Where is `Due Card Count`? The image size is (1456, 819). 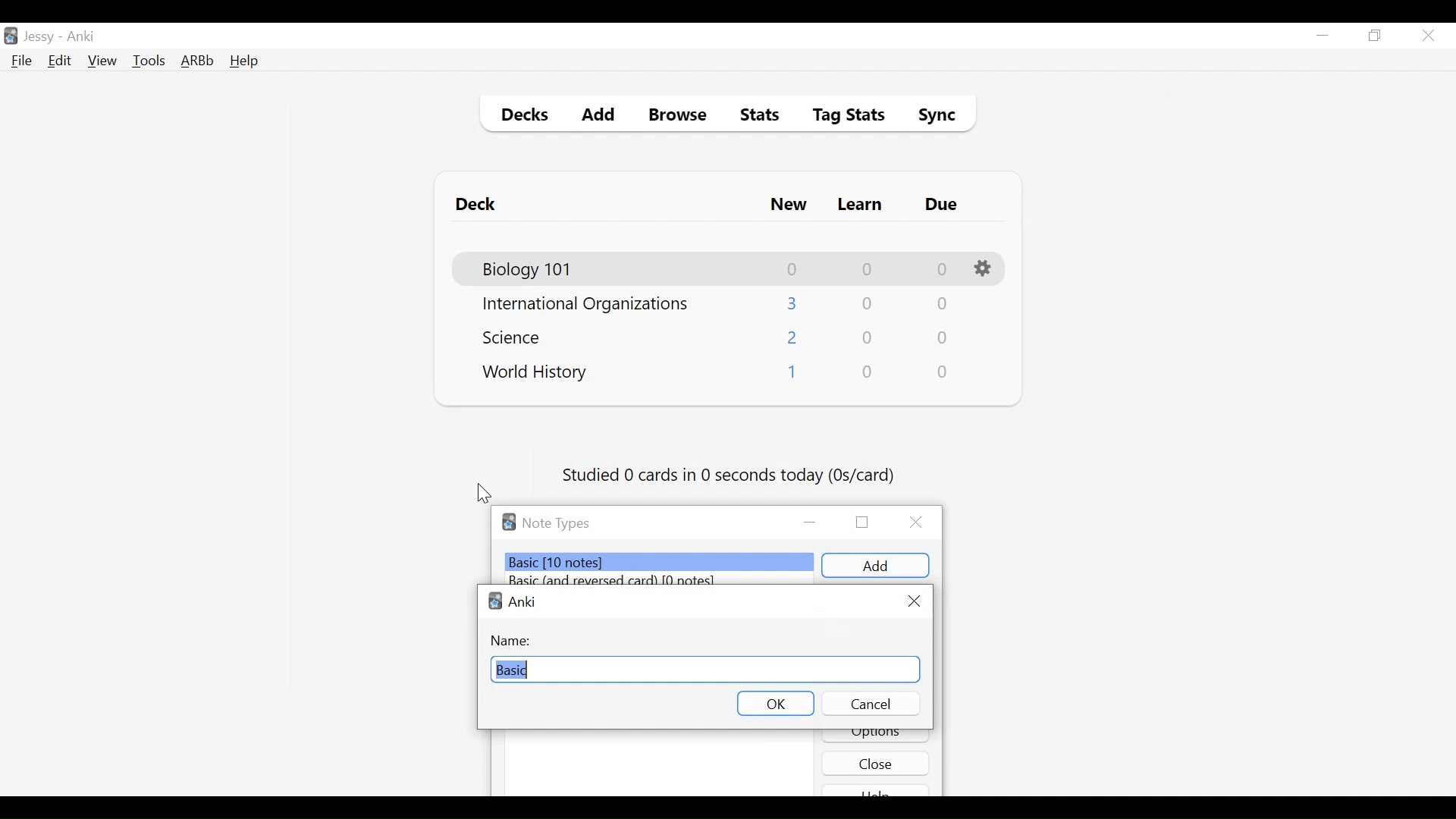 Due Card Count is located at coordinates (941, 306).